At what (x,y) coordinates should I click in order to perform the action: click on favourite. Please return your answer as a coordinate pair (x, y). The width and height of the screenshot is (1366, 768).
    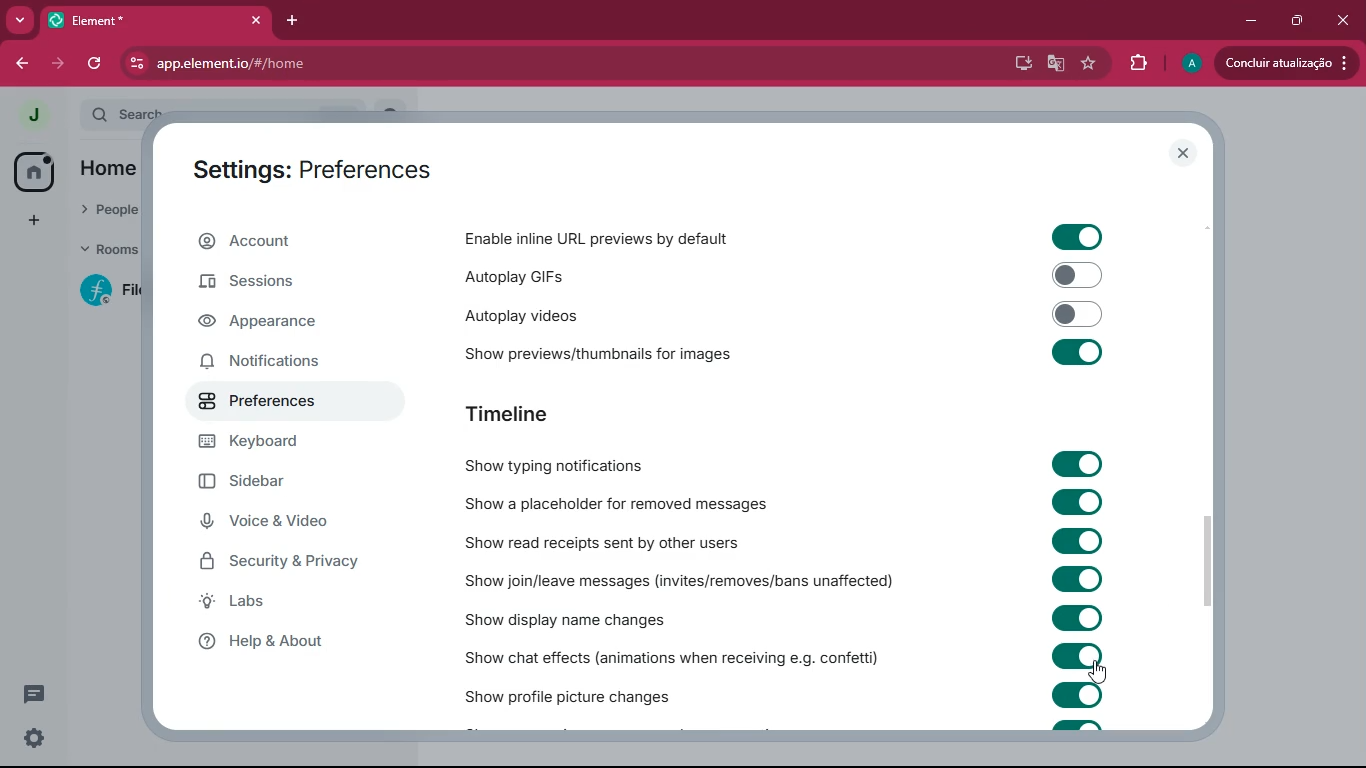
    Looking at the image, I should click on (1086, 64).